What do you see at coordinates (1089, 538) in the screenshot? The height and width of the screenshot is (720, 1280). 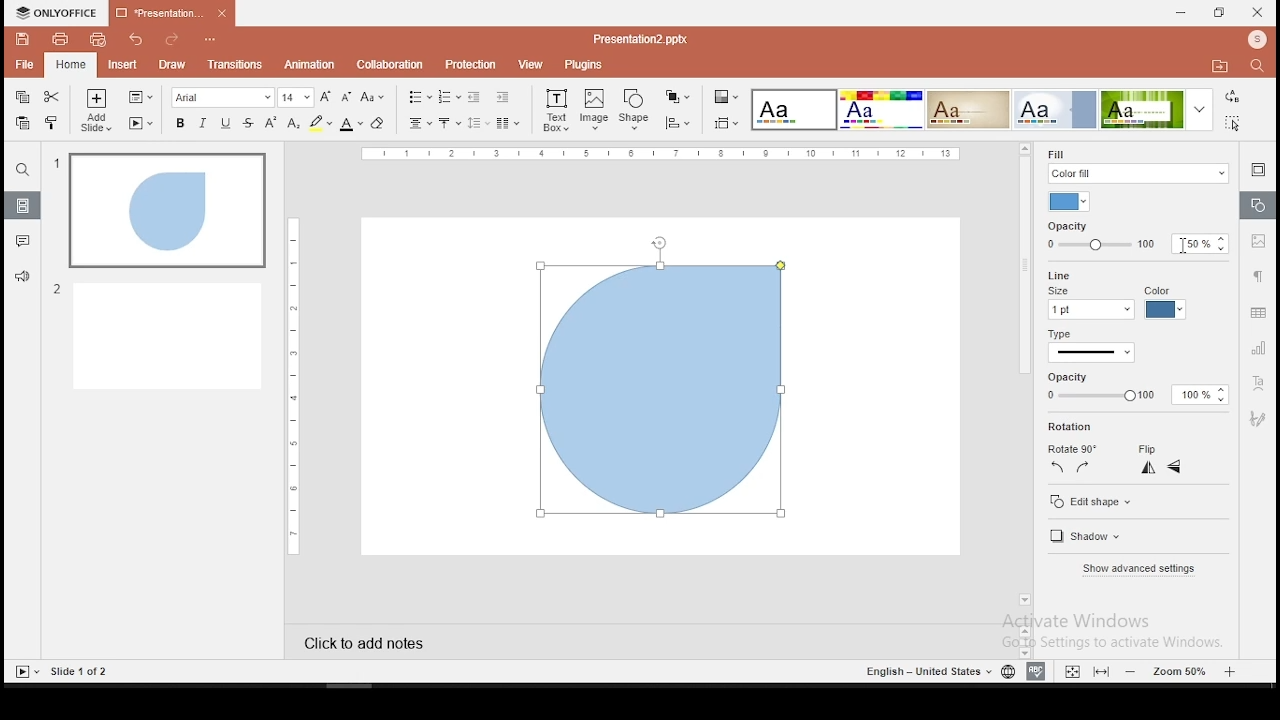 I see `shadow` at bounding box center [1089, 538].